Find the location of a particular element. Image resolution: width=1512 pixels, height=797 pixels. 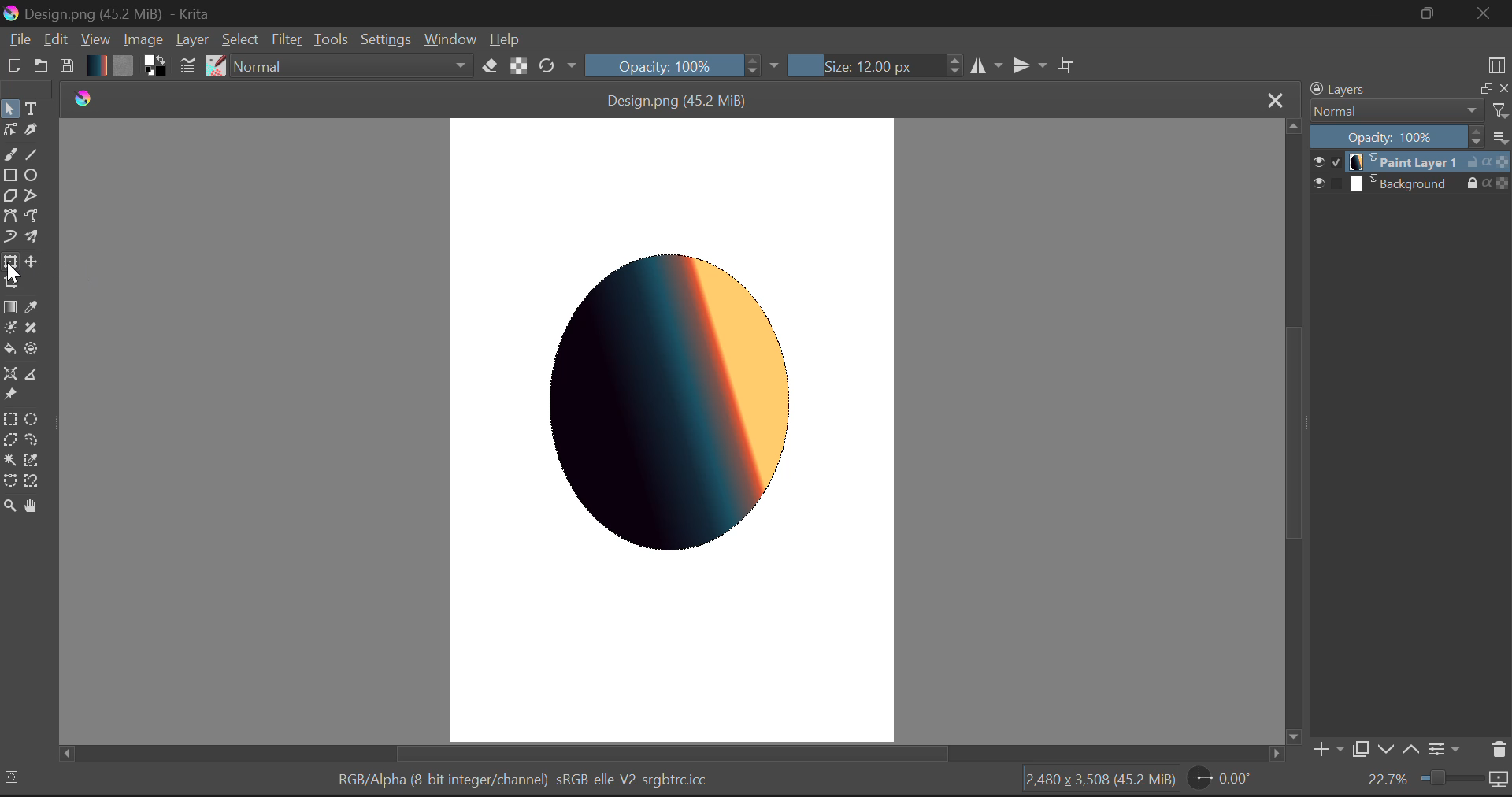

Ellipses is located at coordinates (32, 176).